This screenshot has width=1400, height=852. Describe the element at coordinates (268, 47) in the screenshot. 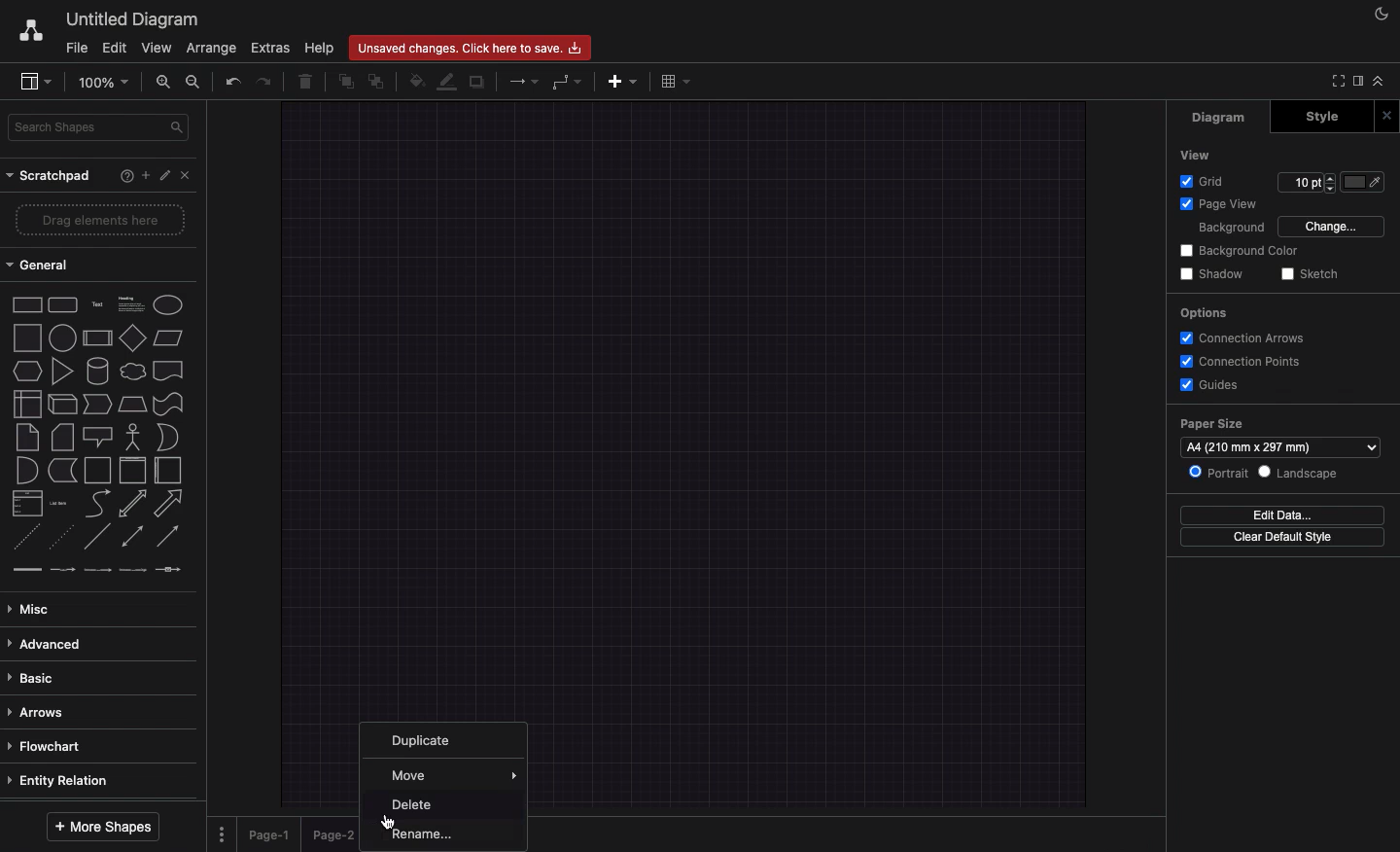

I see `Extras` at that location.